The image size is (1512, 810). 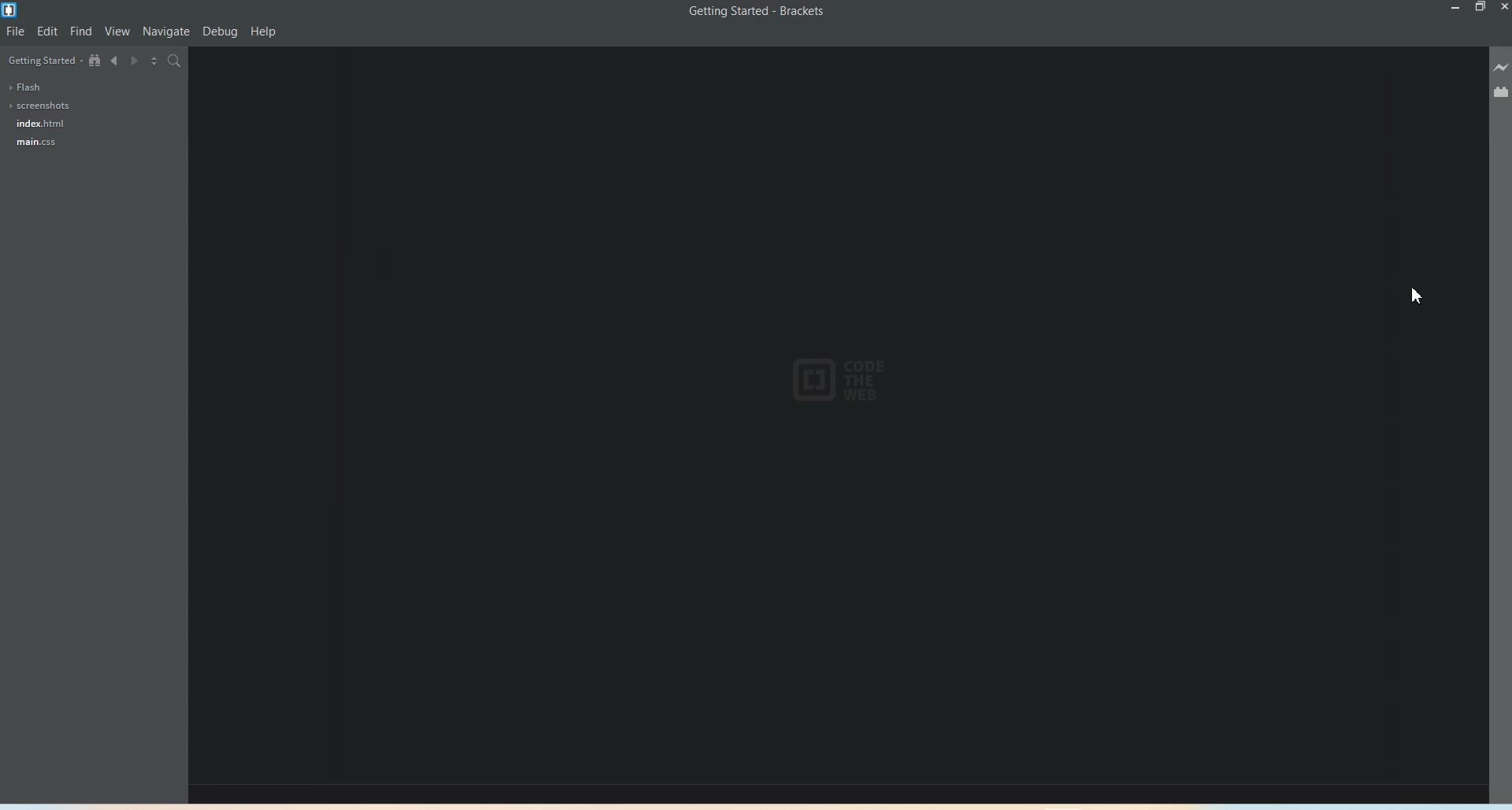 I want to click on Getting Started, so click(x=752, y=17).